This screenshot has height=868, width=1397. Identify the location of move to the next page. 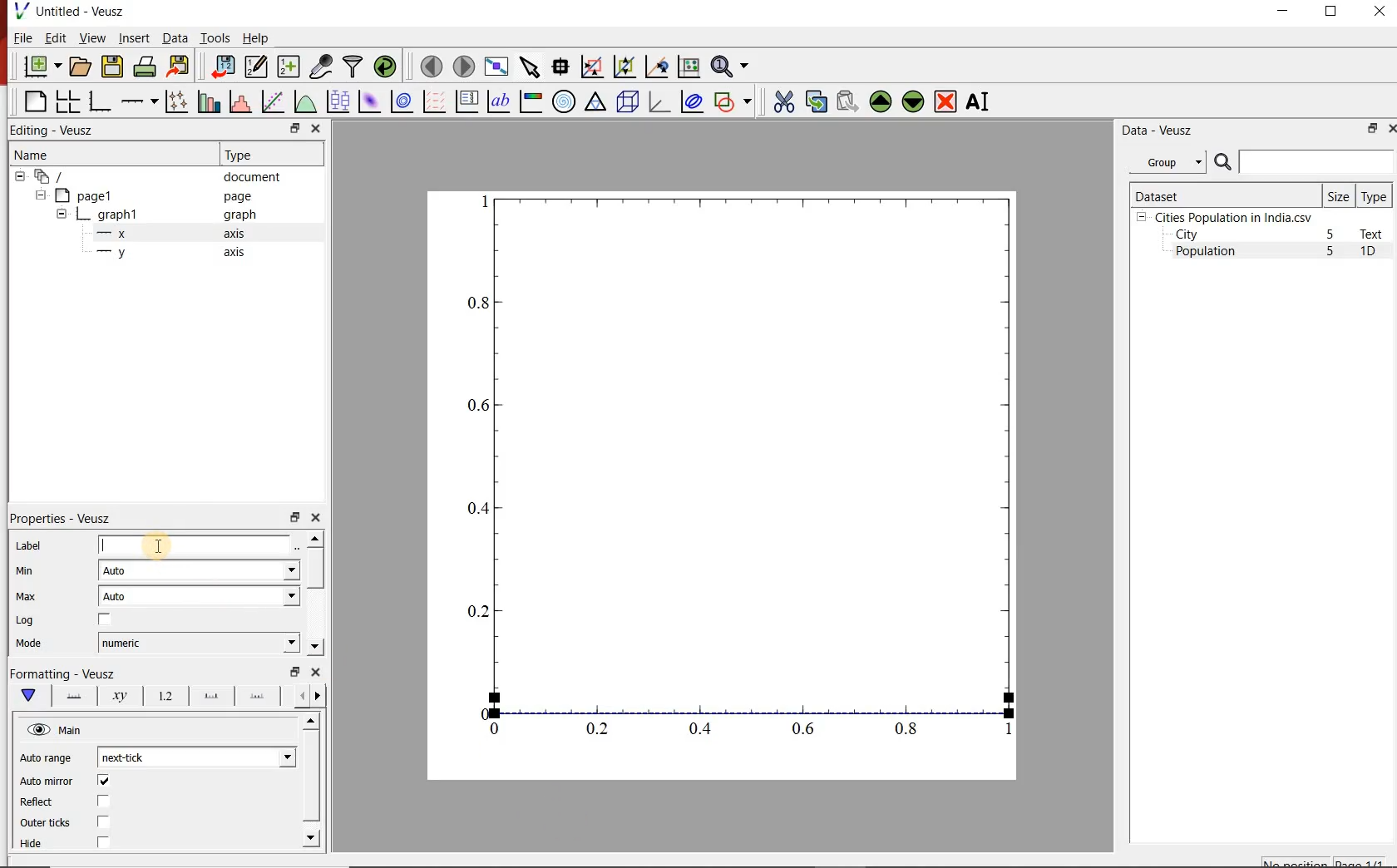
(462, 66).